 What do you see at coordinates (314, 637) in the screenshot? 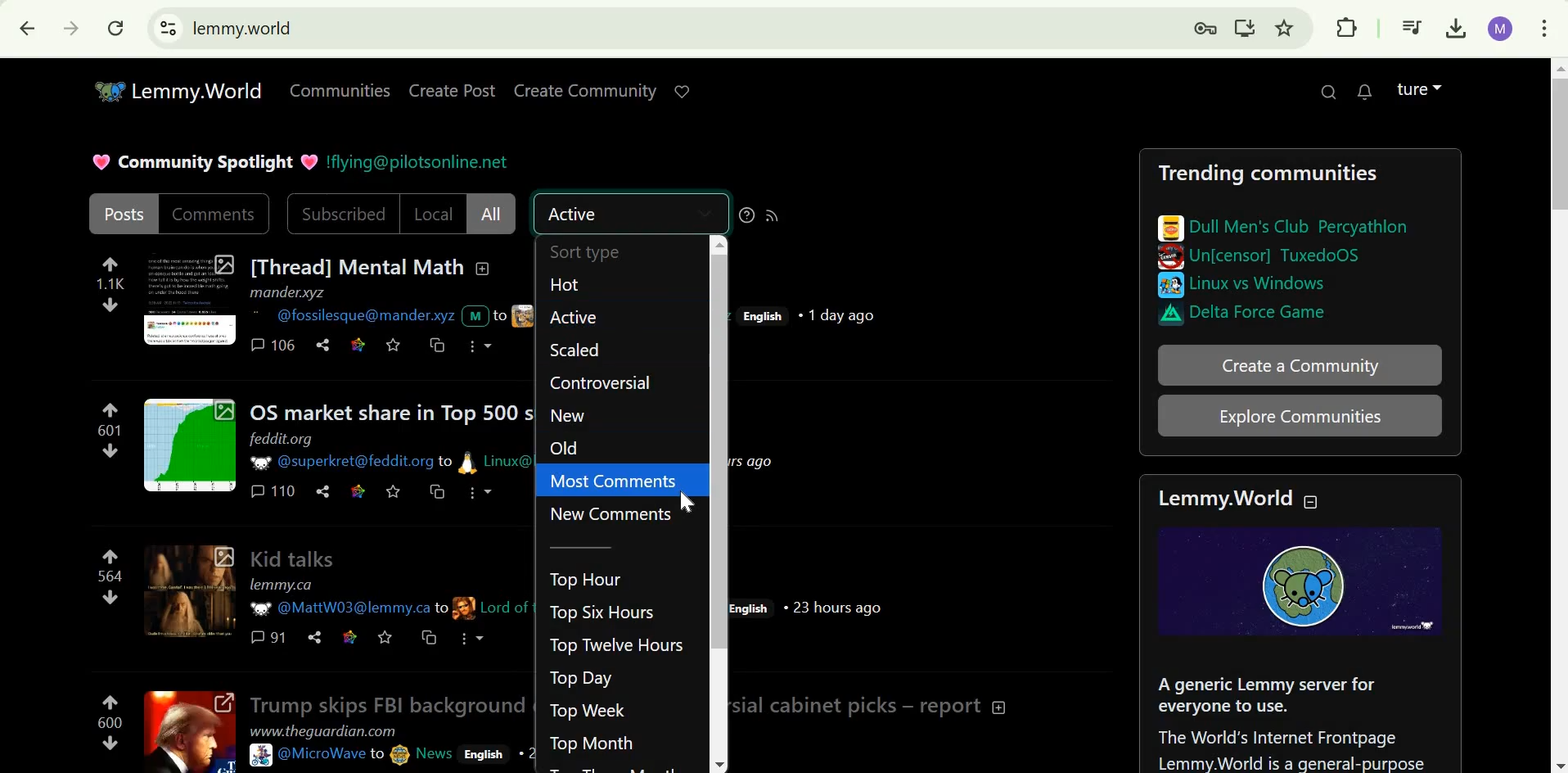
I see `Share` at bounding box center [314, 637].